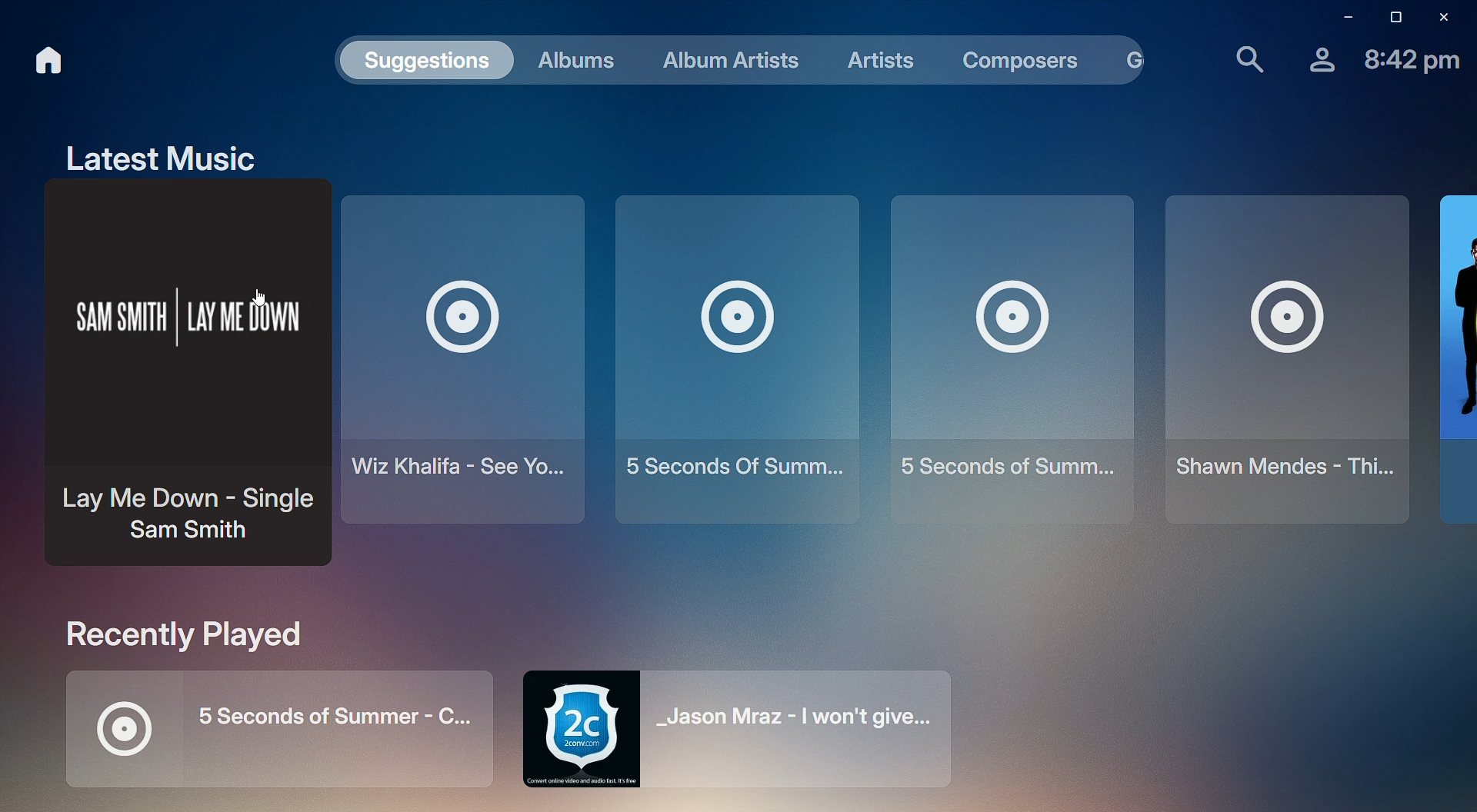  What do you see at coordinates (755, 728) in the screenshot?
I see `Jason Mraz` at bounding box center [755, 728].